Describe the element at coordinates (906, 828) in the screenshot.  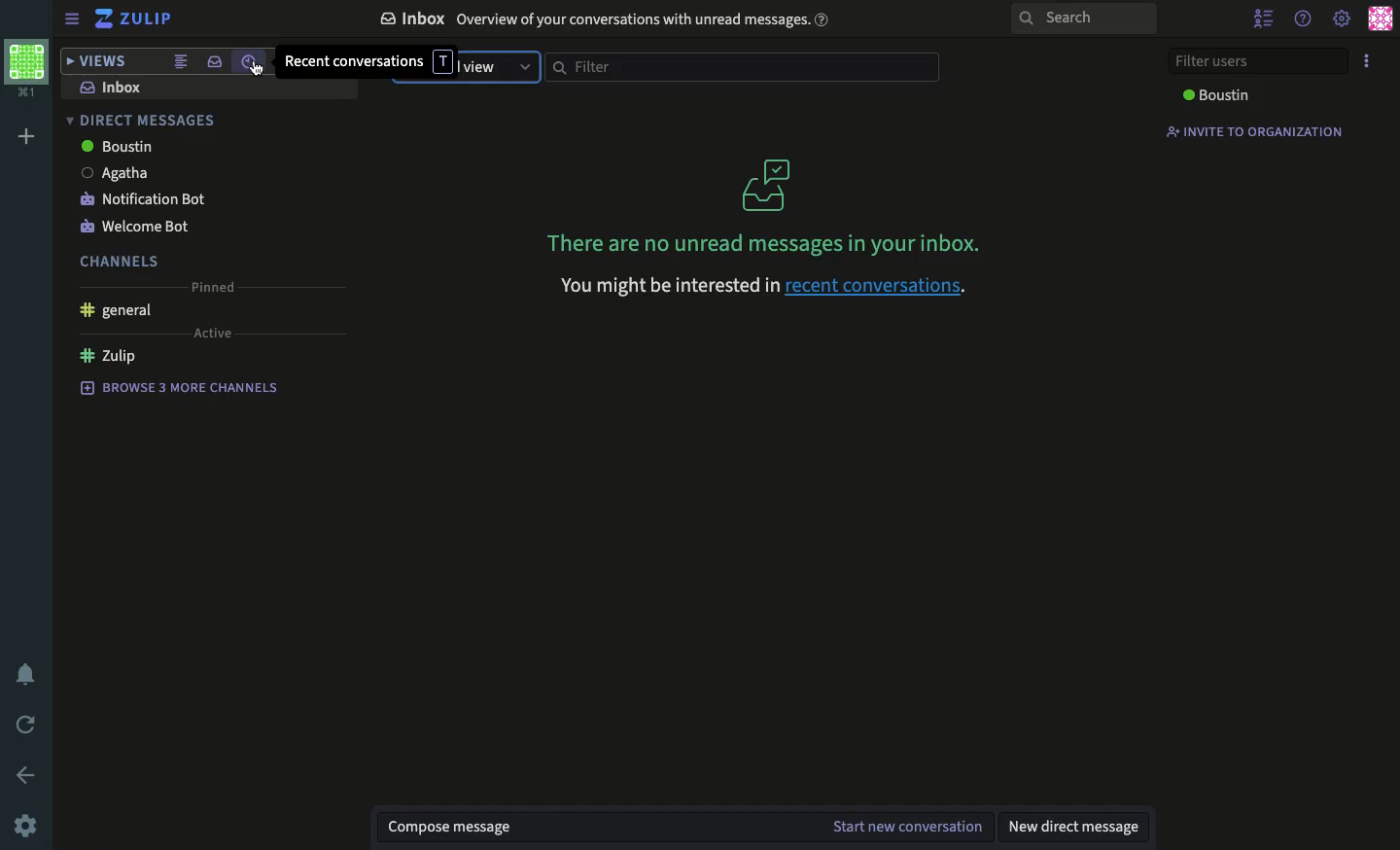
I see `start new conversation` at that location.